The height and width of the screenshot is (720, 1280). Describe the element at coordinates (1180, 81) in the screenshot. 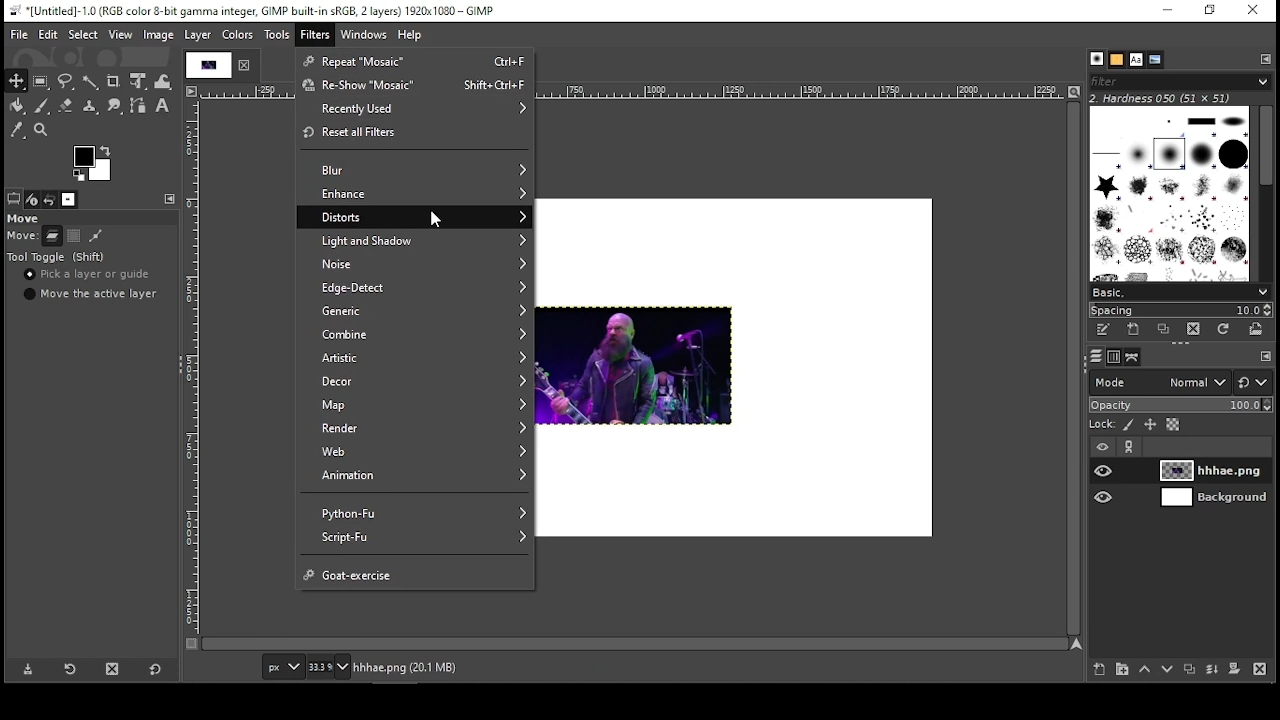

I see `brushes filter` at that location.